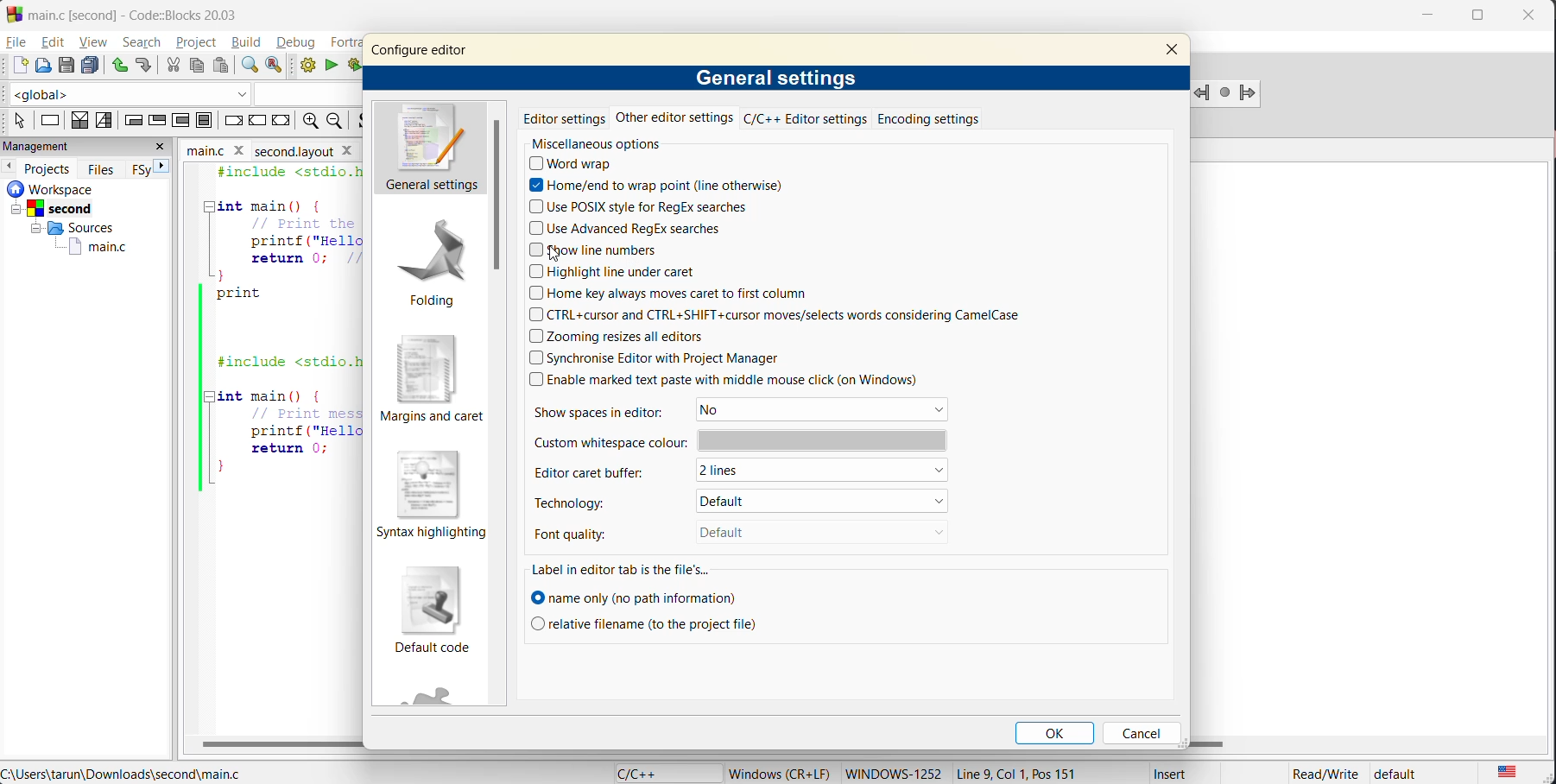 The image size is (1556, 784). I want to click on continue instruction, so click(259, 120).